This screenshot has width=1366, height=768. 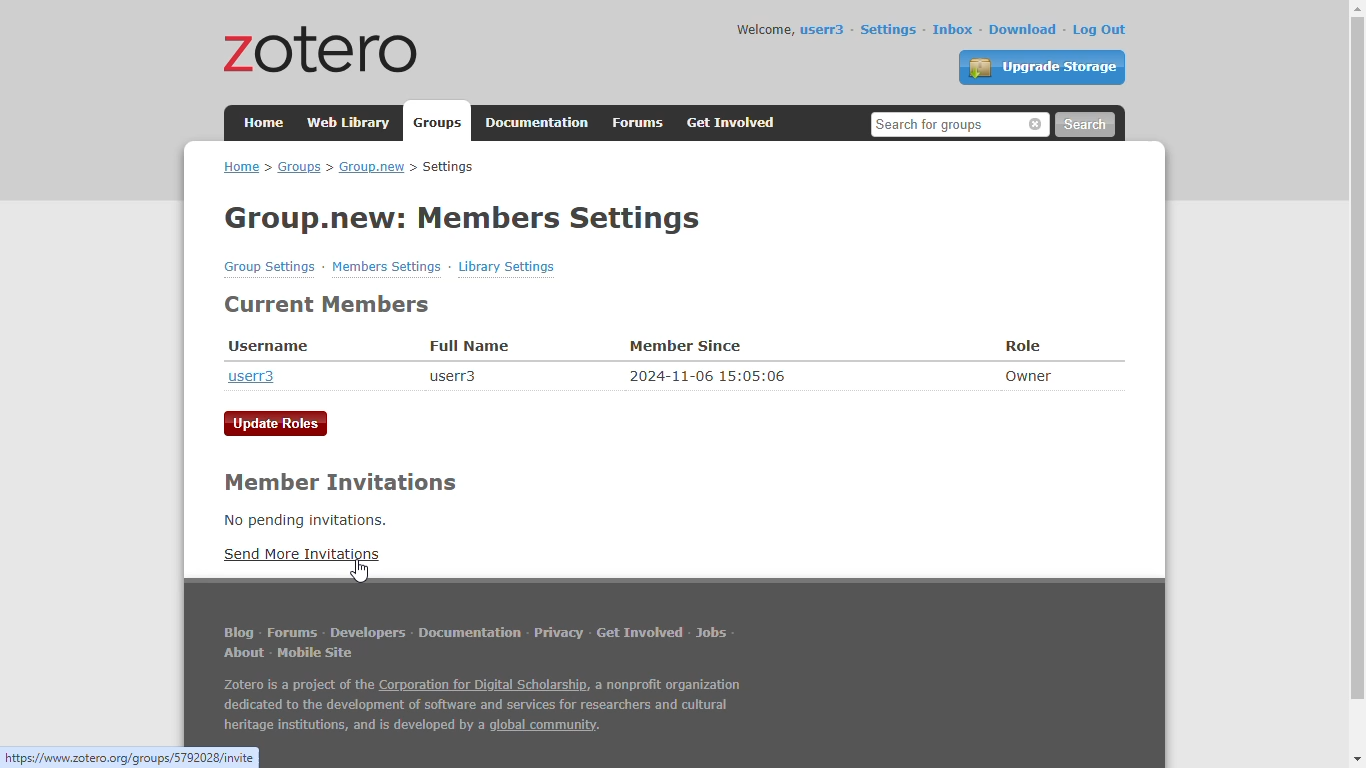 I want to click on no pending invitations, so click(x=304, y=520).